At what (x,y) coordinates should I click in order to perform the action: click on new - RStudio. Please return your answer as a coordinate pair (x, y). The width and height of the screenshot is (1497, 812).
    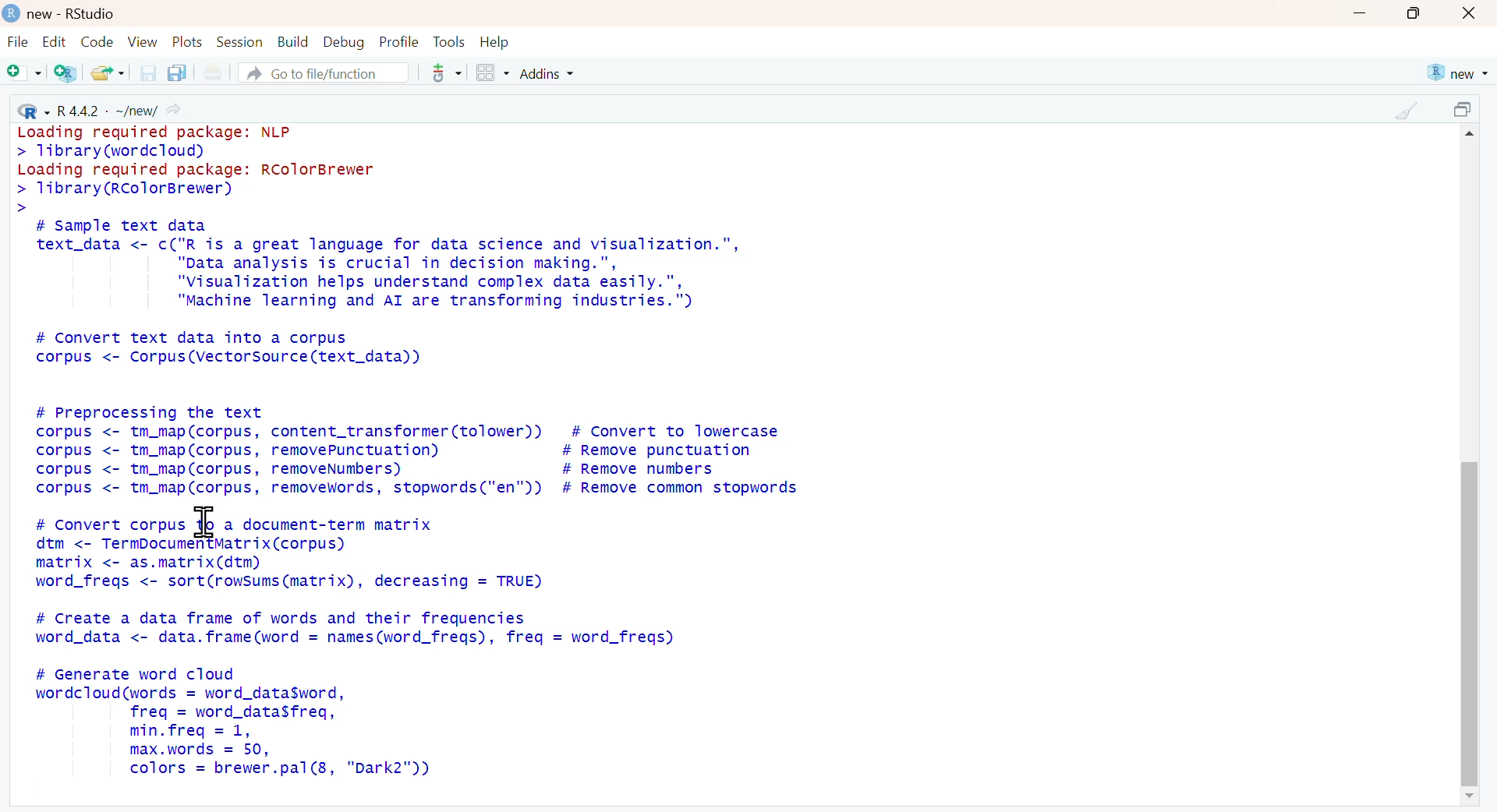
    Looking at the image, I should click on (75, 14).